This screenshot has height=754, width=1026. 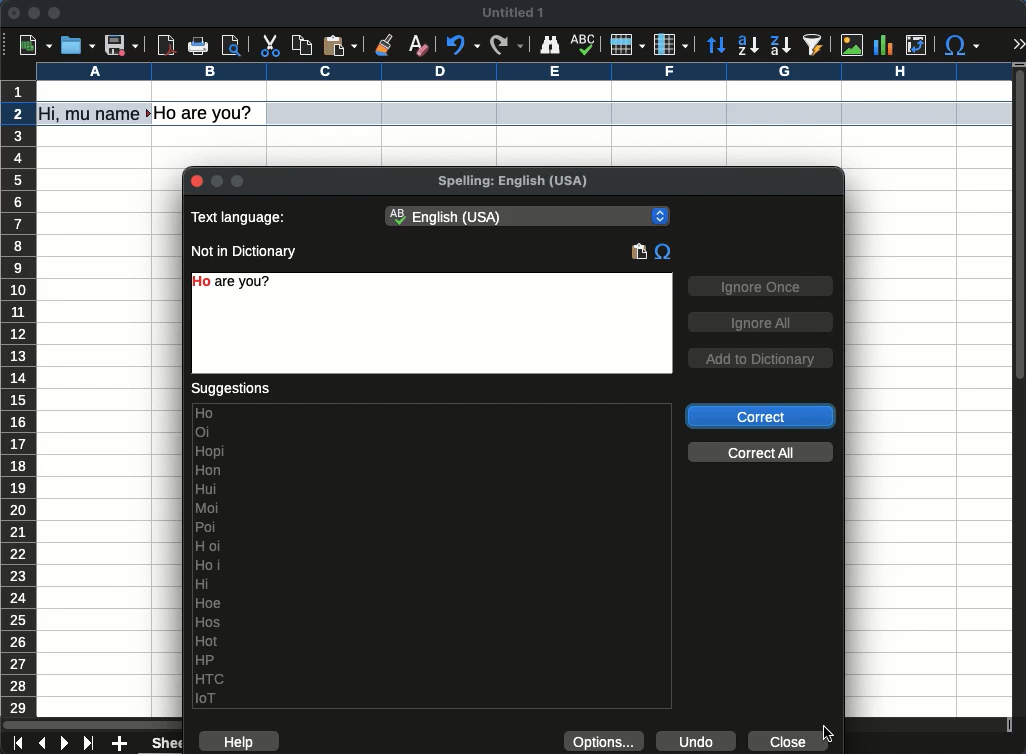 I want to click on add to dictionary, so click(x=760, y=358).